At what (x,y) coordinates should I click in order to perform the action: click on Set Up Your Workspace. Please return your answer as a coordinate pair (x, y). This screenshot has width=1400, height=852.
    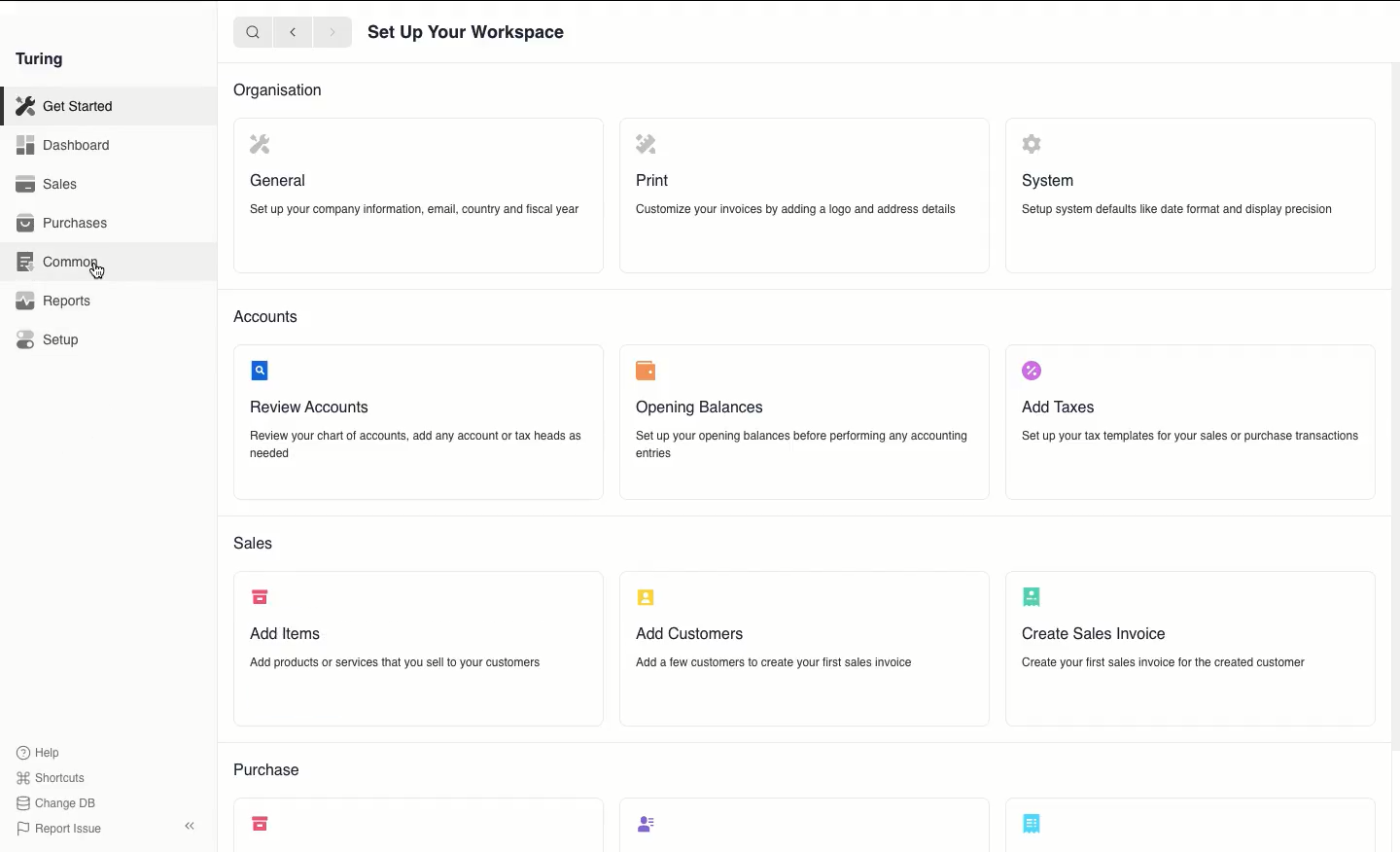
    Looking at the image, I should click on (472, 33).